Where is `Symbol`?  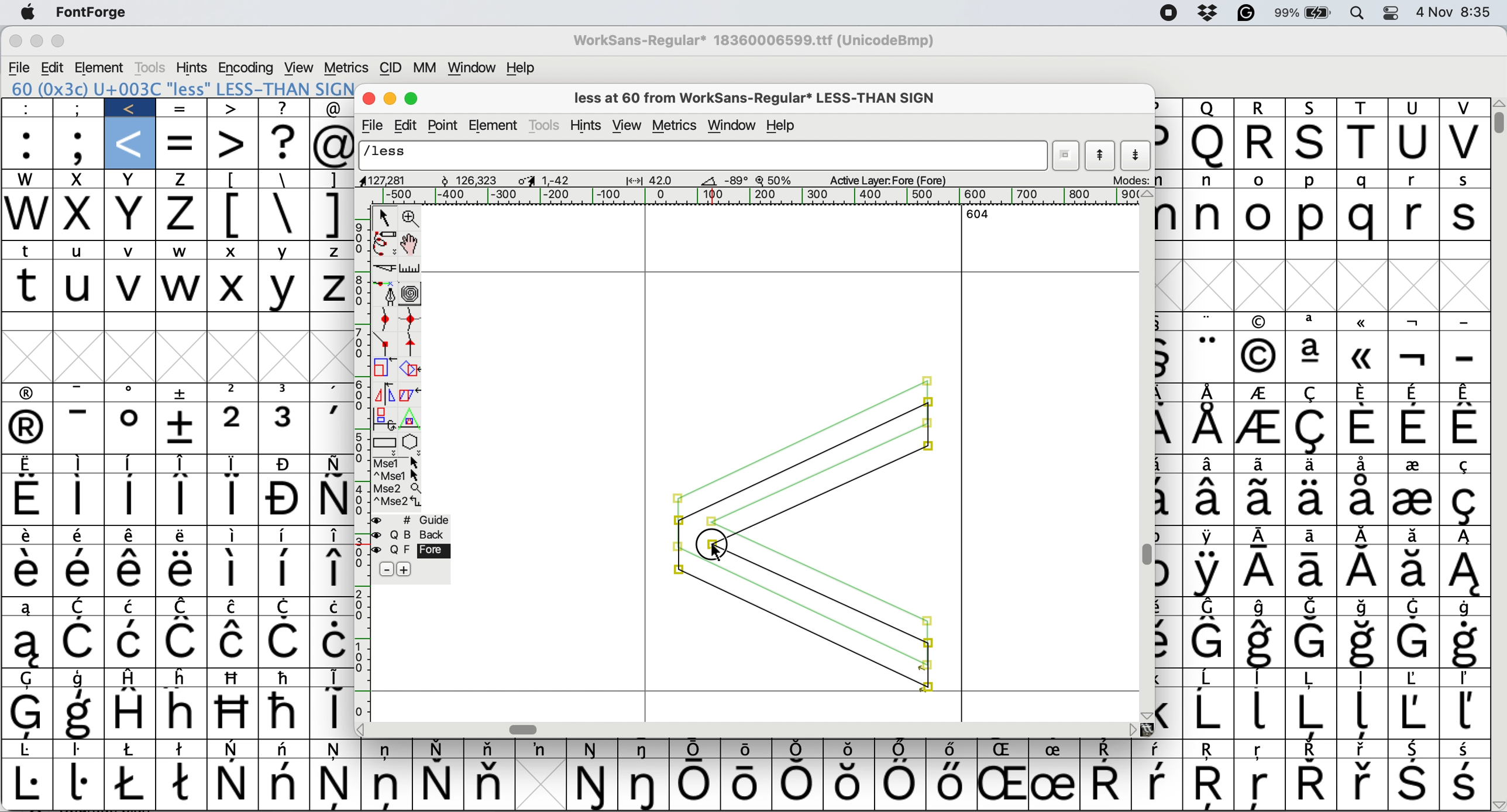 Symbol is located at coordinates (901, 783).